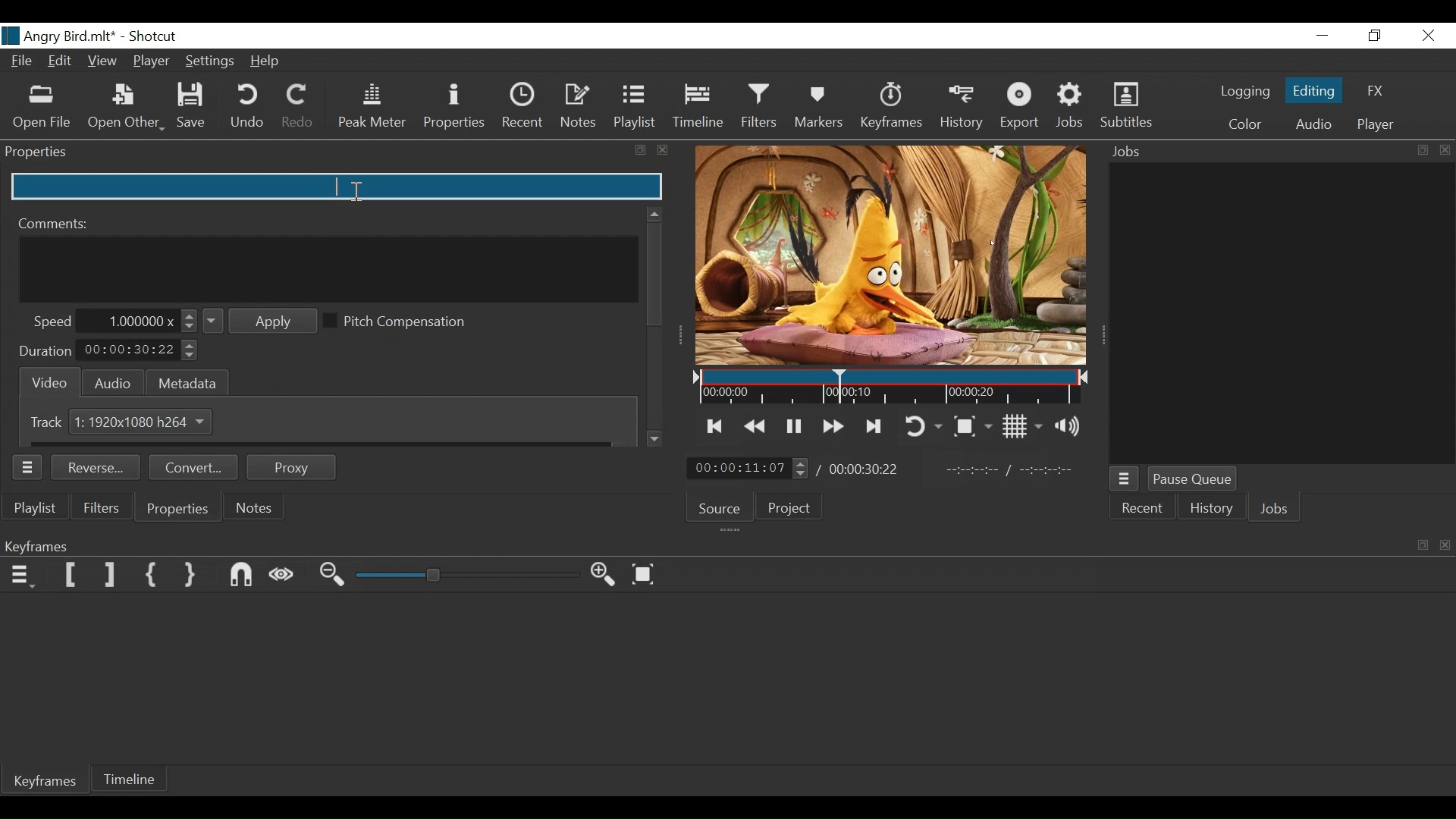 The width and height of the screenshot is (1456, 819). What do you see at coordinates (1127, 479) in the screenshot?
I see `Jobs Menu` at bounding box center [1127, 479].